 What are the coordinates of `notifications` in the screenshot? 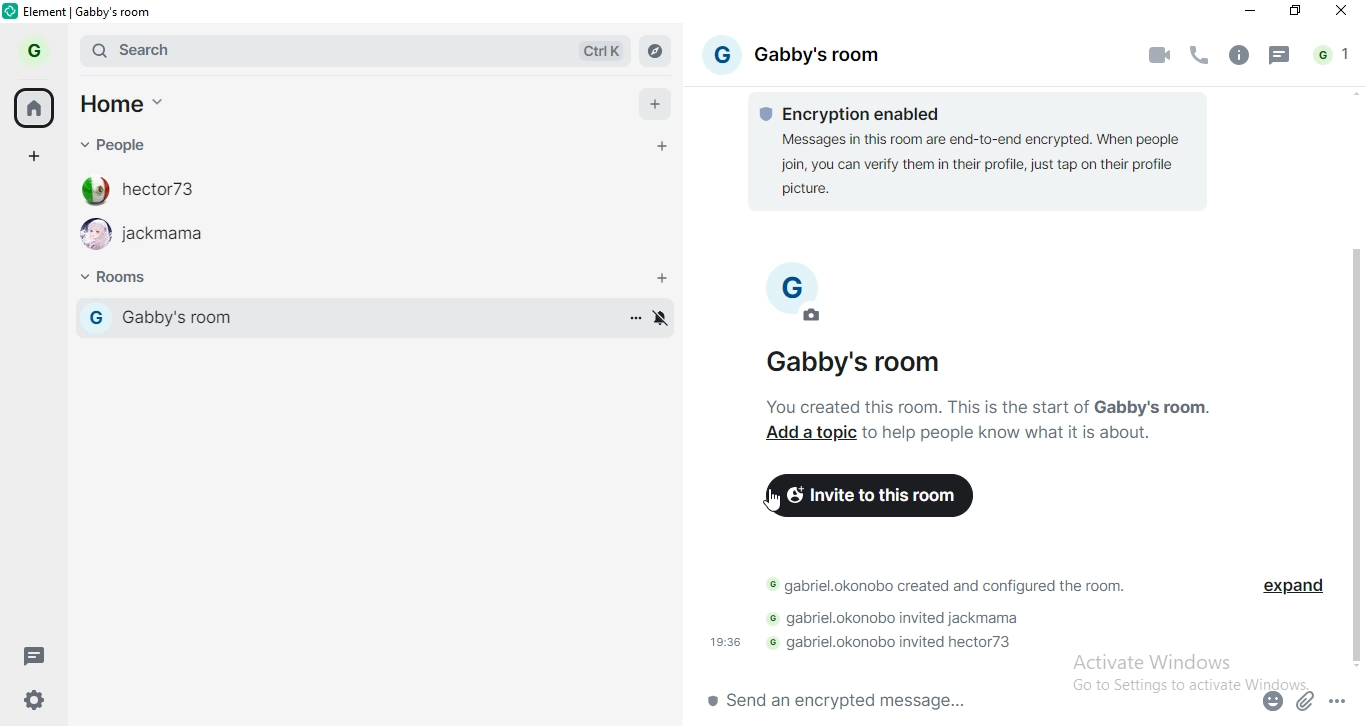 It's located at (1339, 50).